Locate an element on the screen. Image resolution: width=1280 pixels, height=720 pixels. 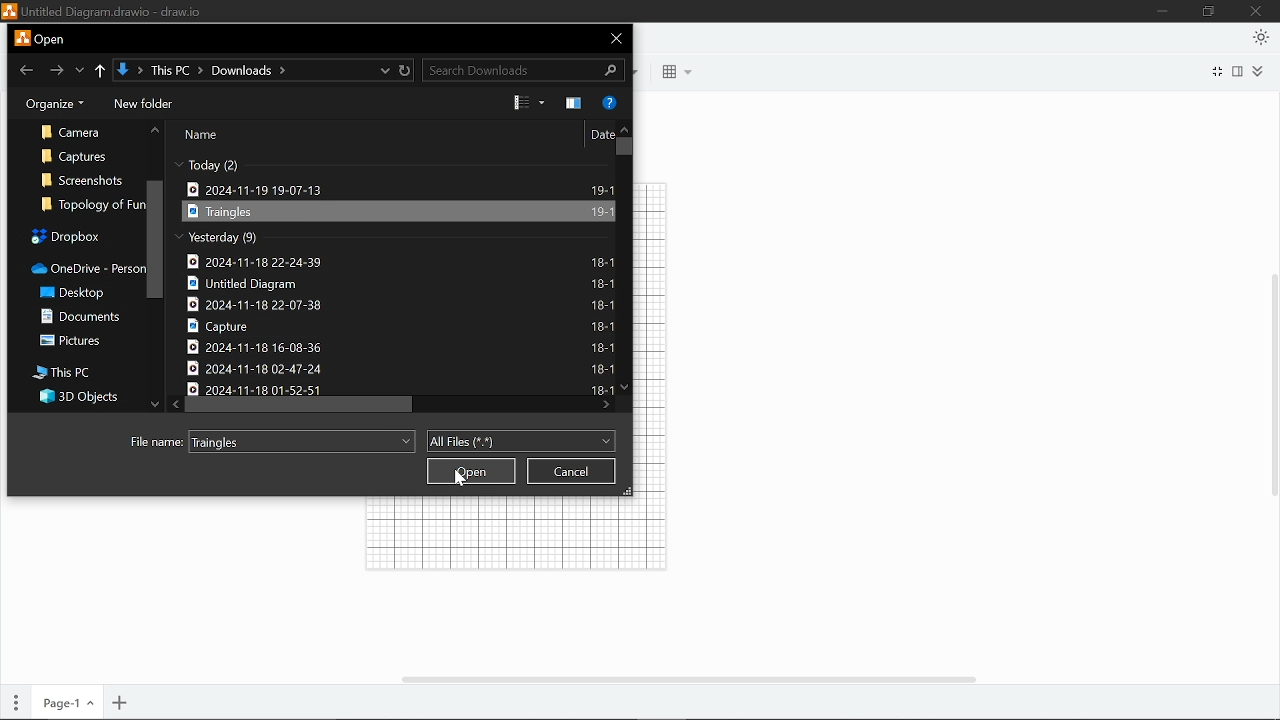
2024-11-18 22-24-39.     18-1 is located at coordinates (399, 263).